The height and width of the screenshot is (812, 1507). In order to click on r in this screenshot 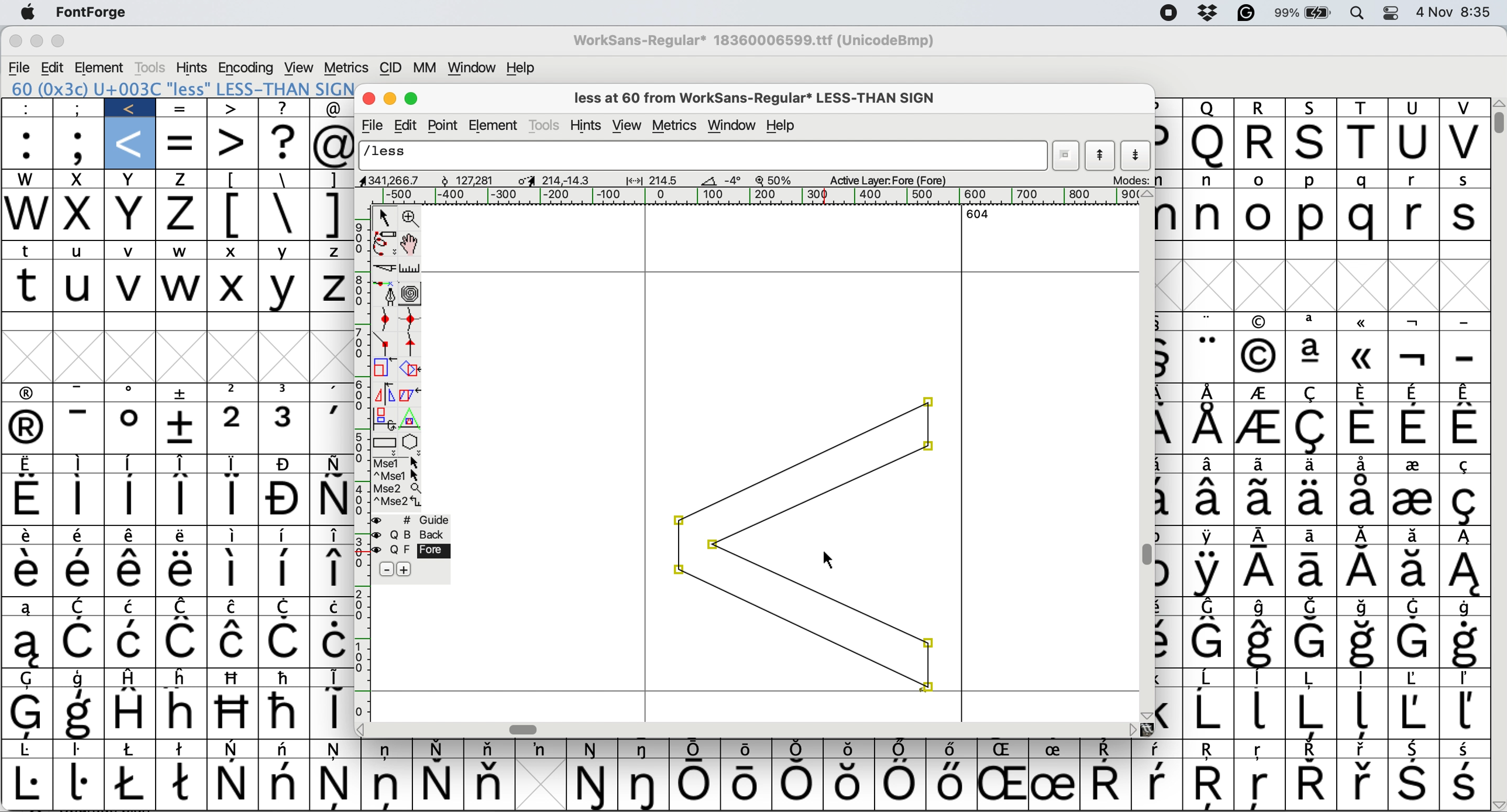, I will do `click(1414, 180)`.